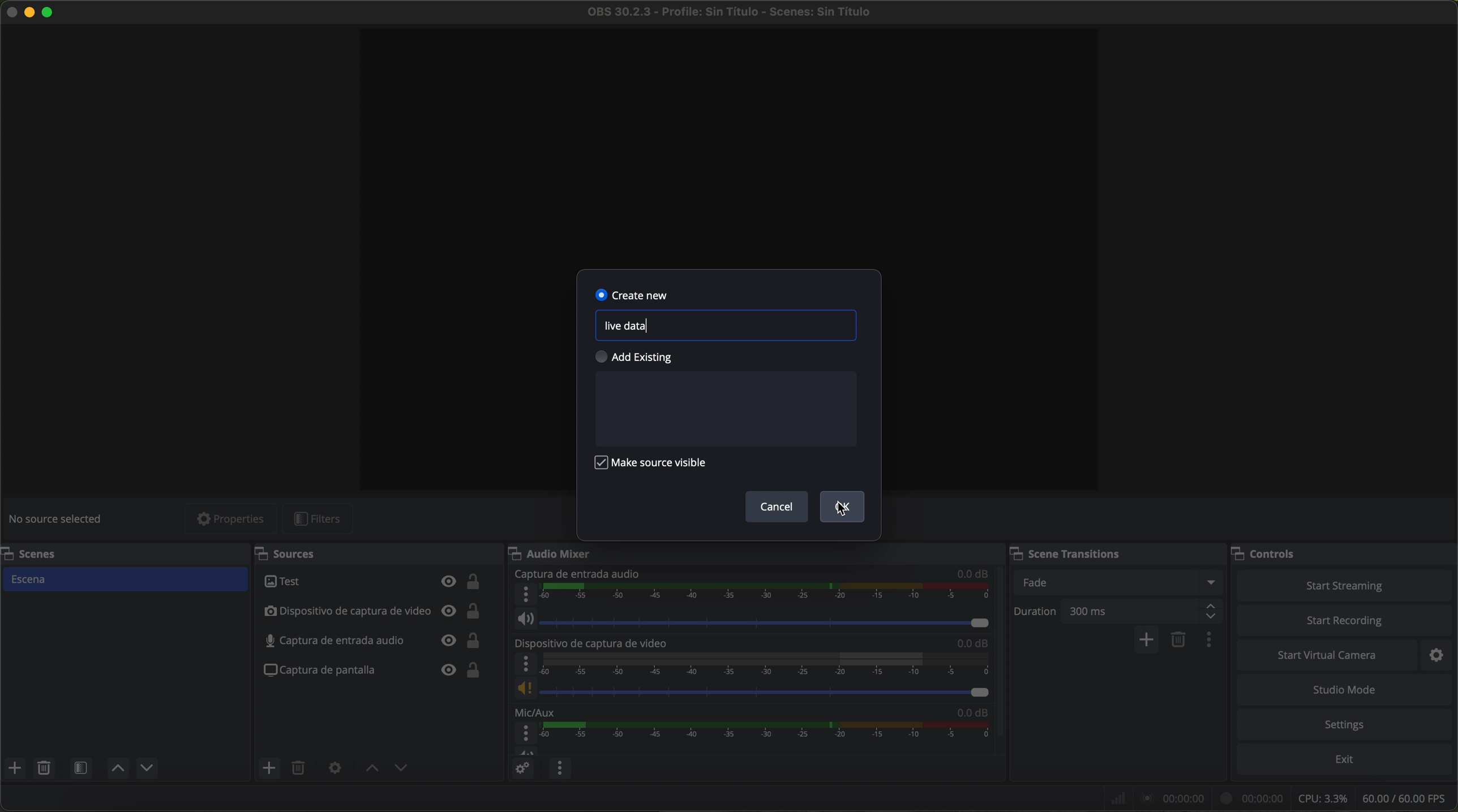  I want to click on move sources down, so click(147, 768).